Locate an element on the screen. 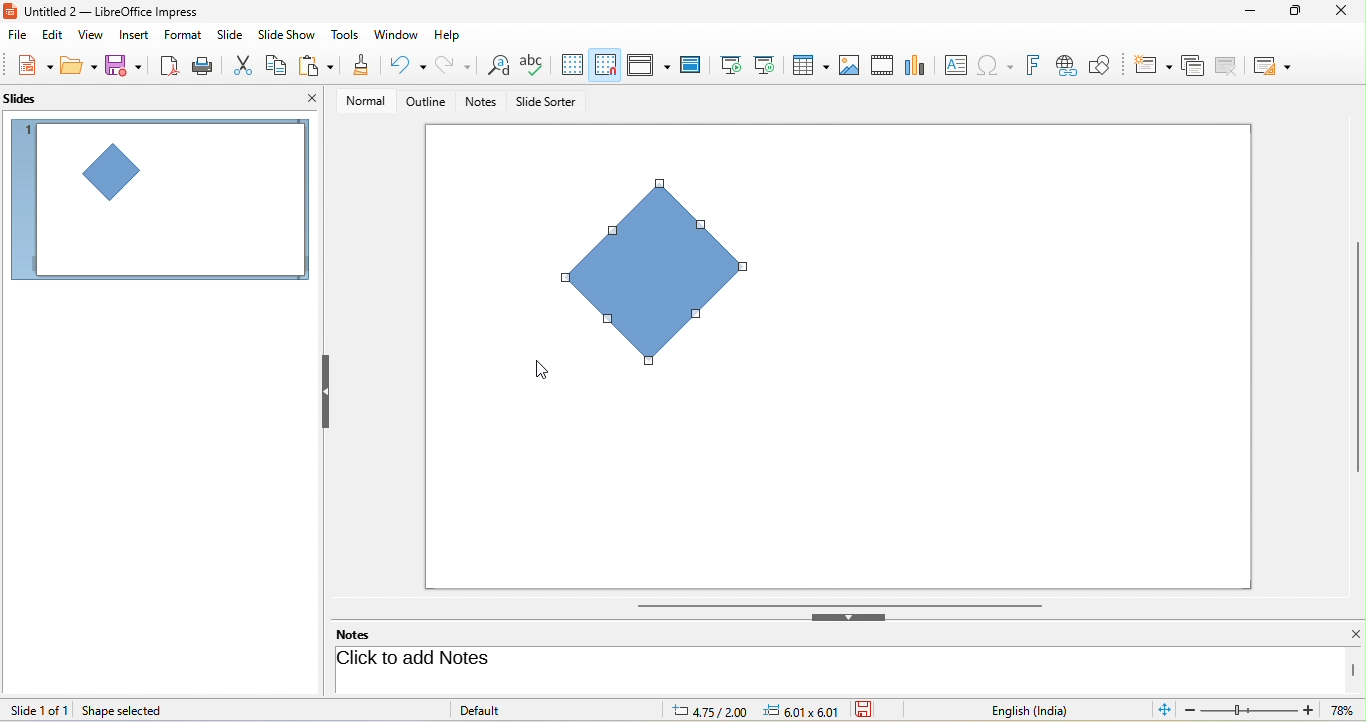 Image resolution: width=1366 pixels, height=722 pixels. slide 1 of 1 is located at coordinates (40, 709).